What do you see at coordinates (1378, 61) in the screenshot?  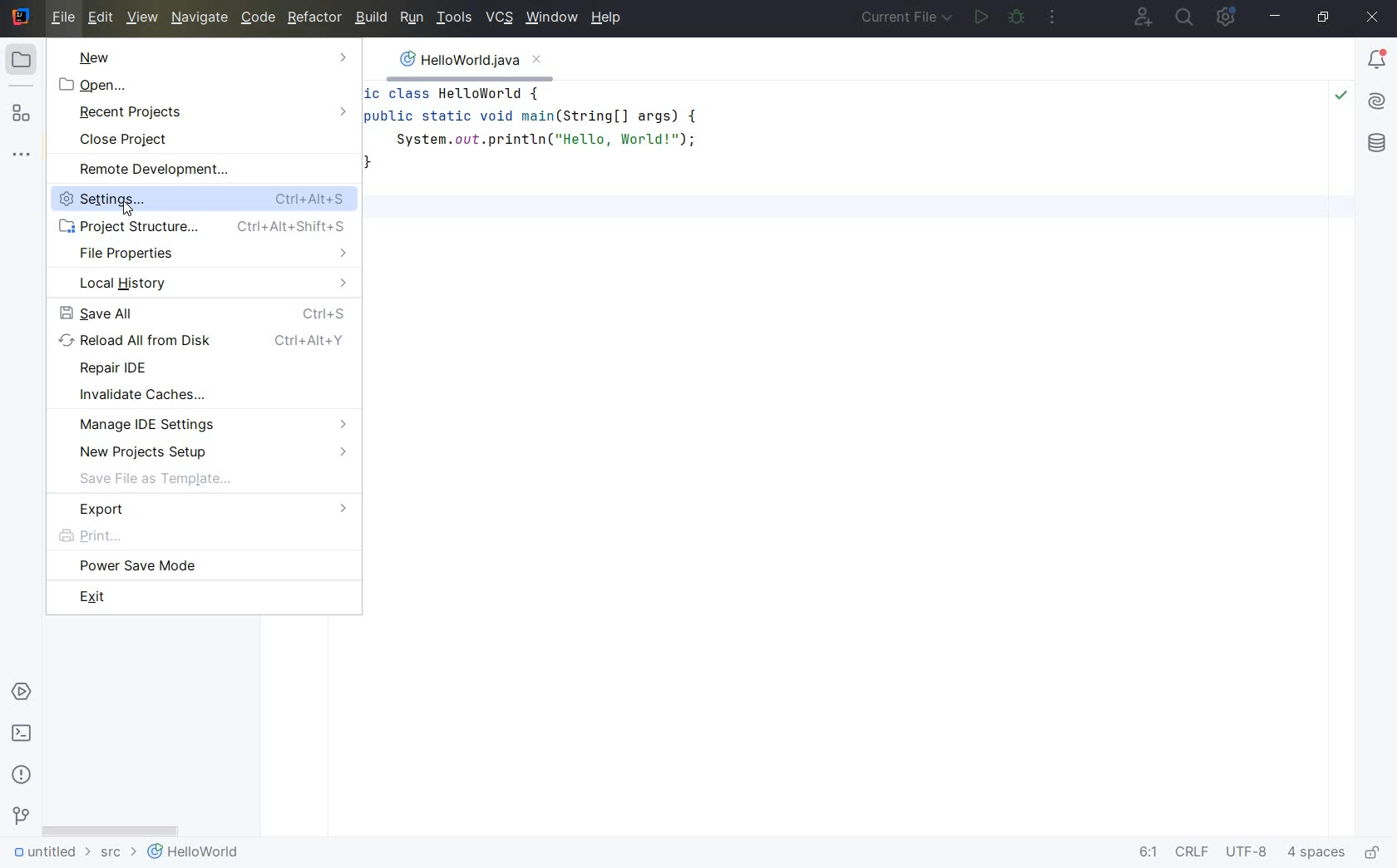 I see `Notifications` at bounding box center [1378, 61].